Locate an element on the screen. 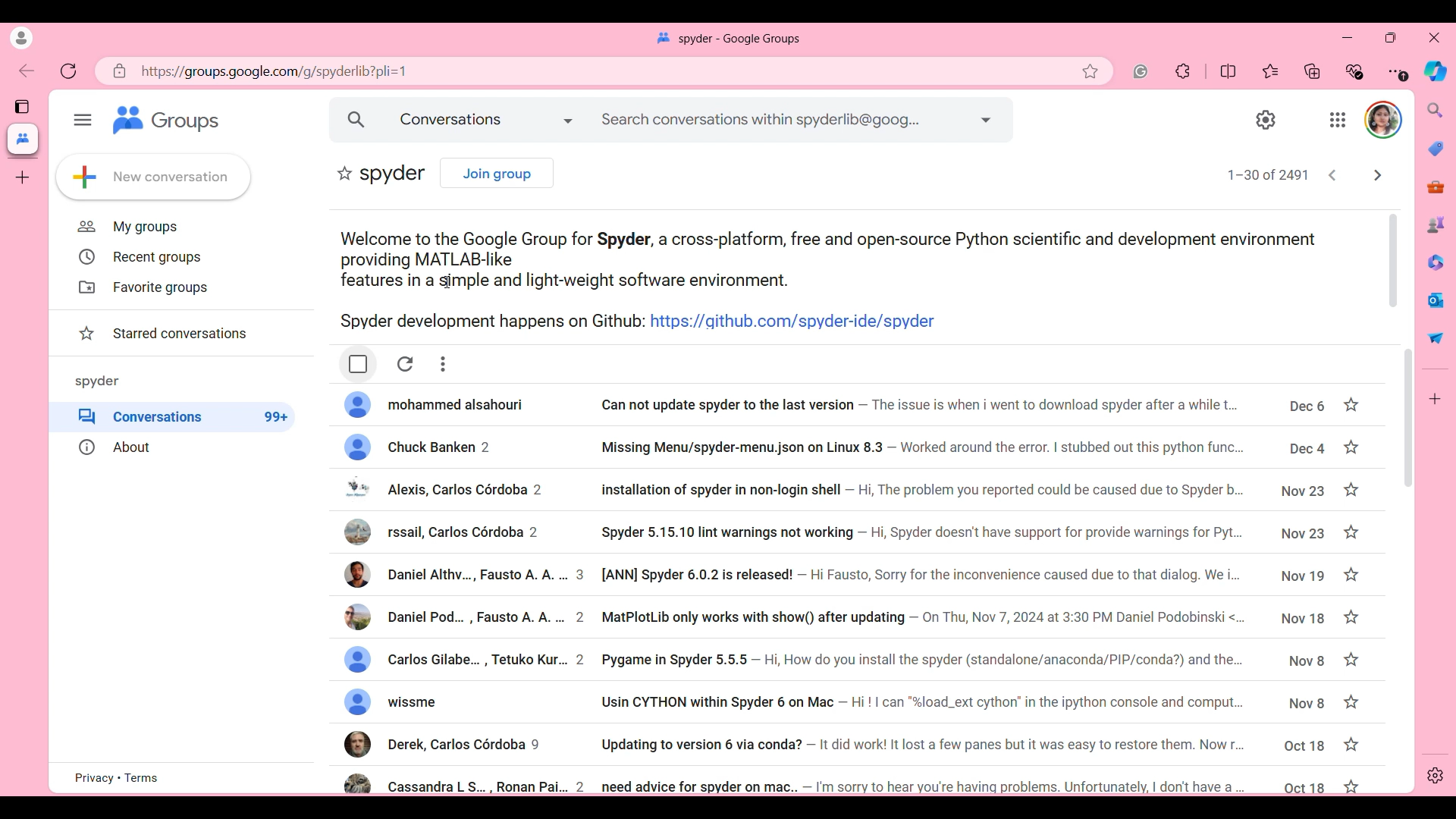 The width and height of the screenshot is (1456, 819). Go to previous is located at coordinates (26, 71).